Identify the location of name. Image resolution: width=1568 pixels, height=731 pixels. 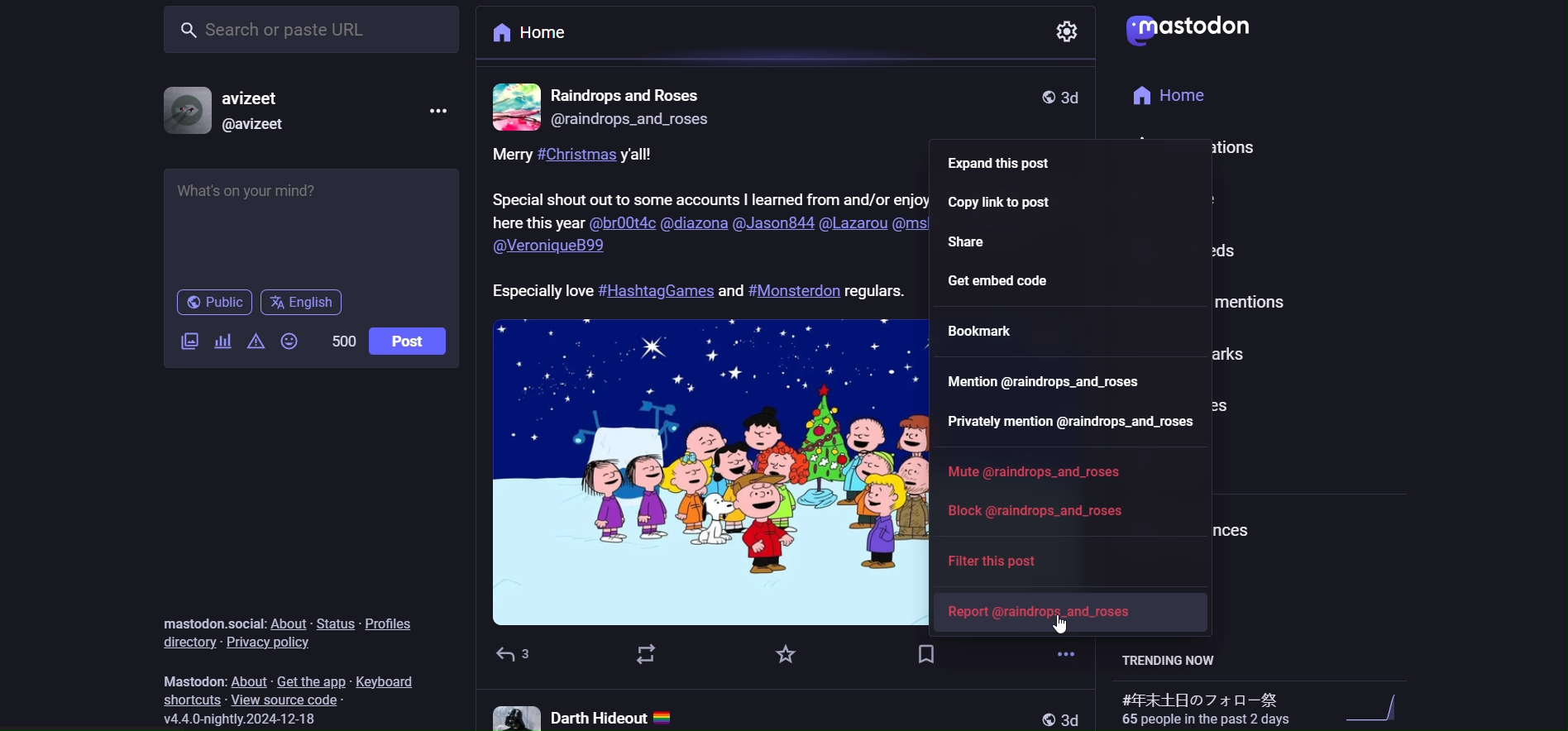
(632, 94).